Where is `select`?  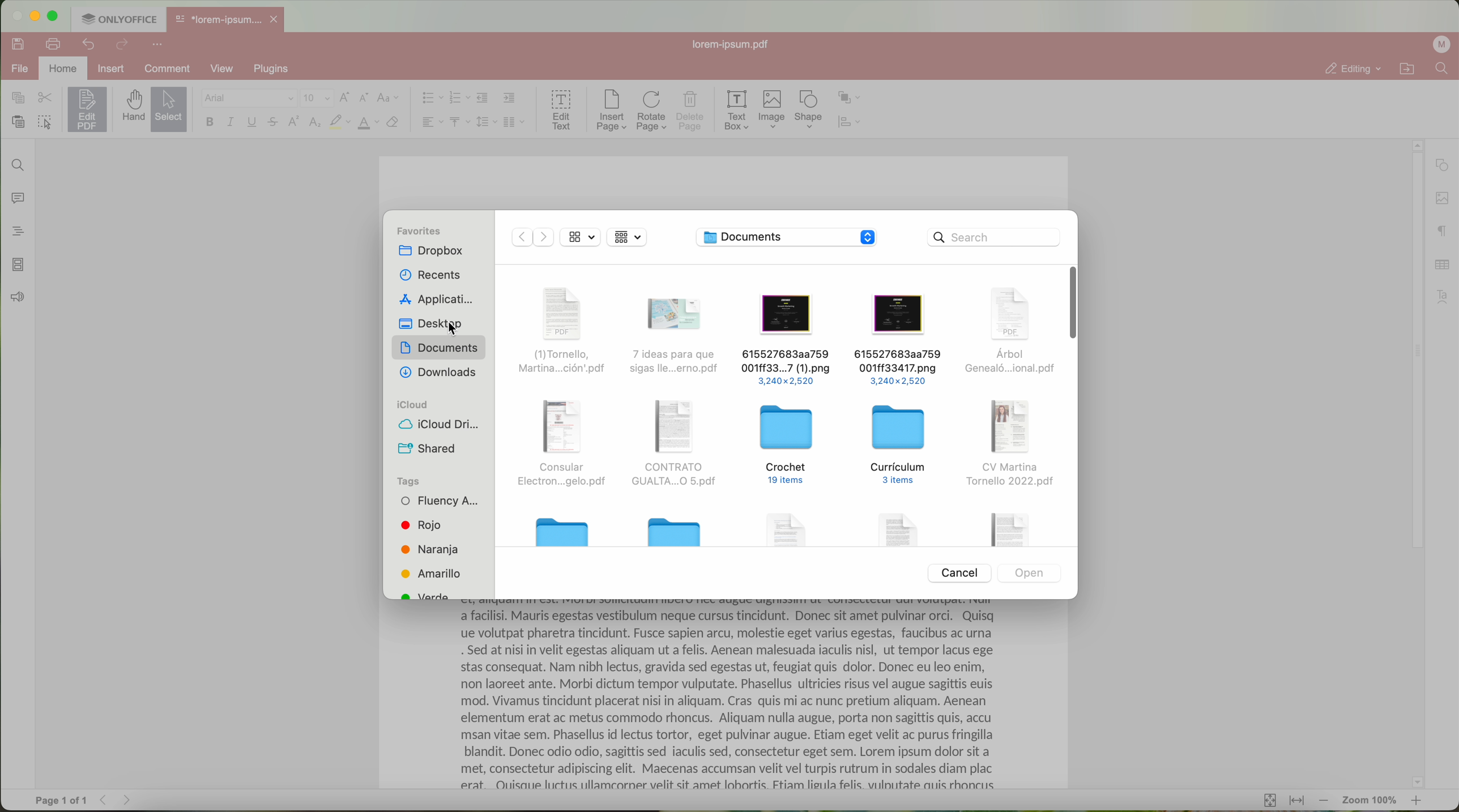 select is located at coordinates (169, 110).